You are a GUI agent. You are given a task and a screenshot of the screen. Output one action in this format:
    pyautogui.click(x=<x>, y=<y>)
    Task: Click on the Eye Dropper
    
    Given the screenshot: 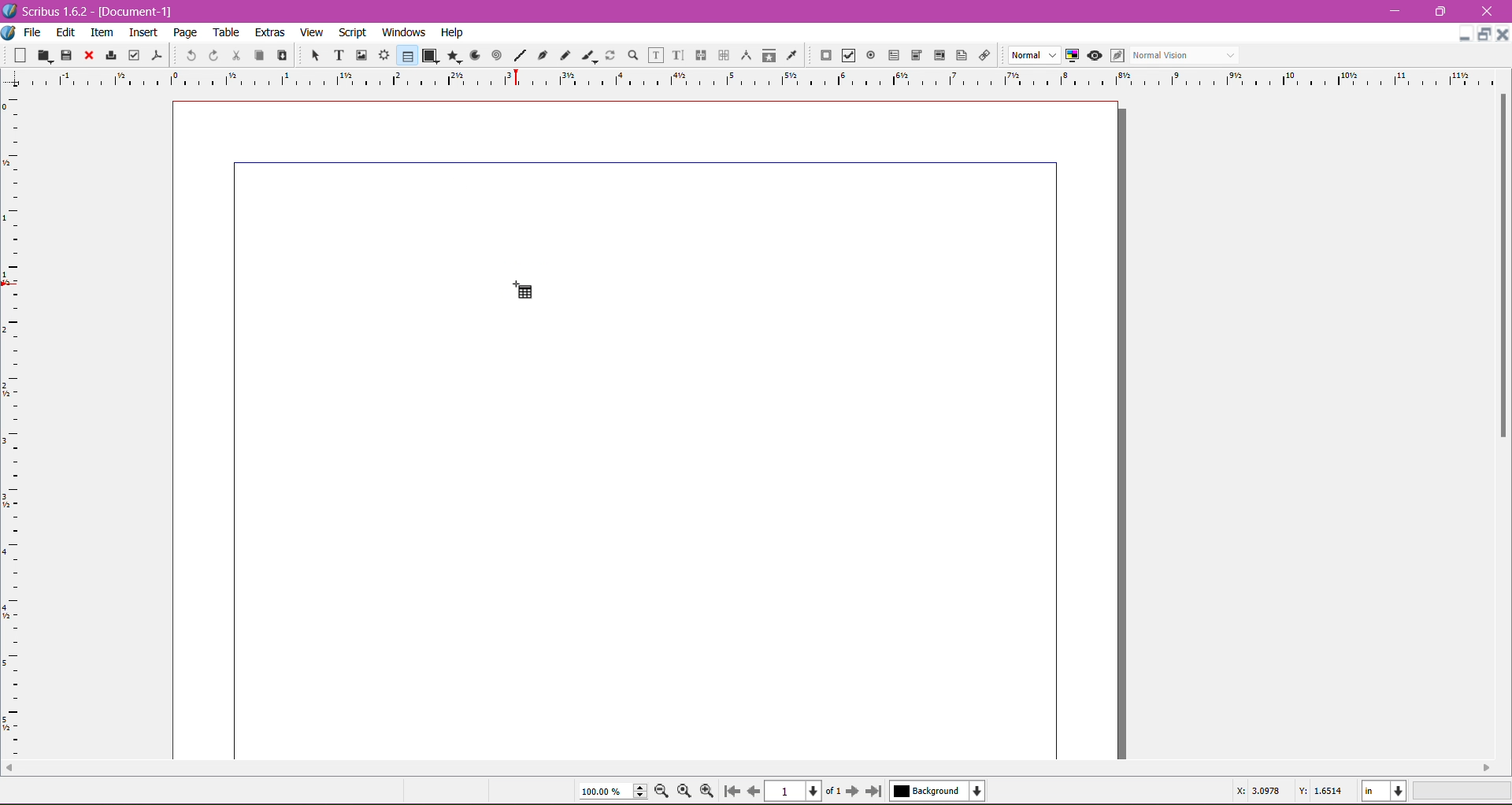 What is the action you would take?
    pyautogui.click(x=791, y=55)
    